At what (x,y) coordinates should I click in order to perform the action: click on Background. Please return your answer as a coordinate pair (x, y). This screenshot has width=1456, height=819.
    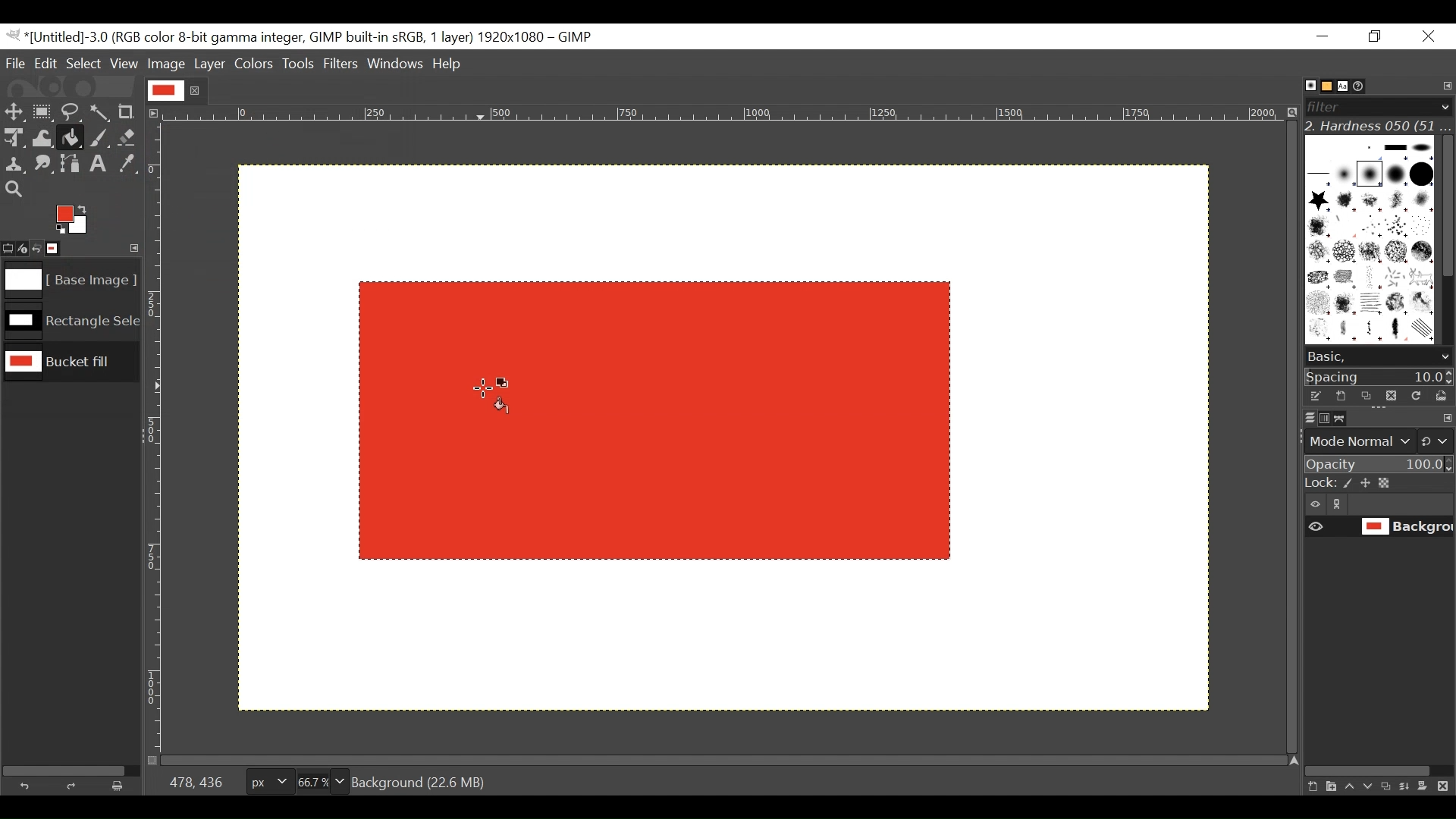
    Looking at the image, I should click on (739, 643).